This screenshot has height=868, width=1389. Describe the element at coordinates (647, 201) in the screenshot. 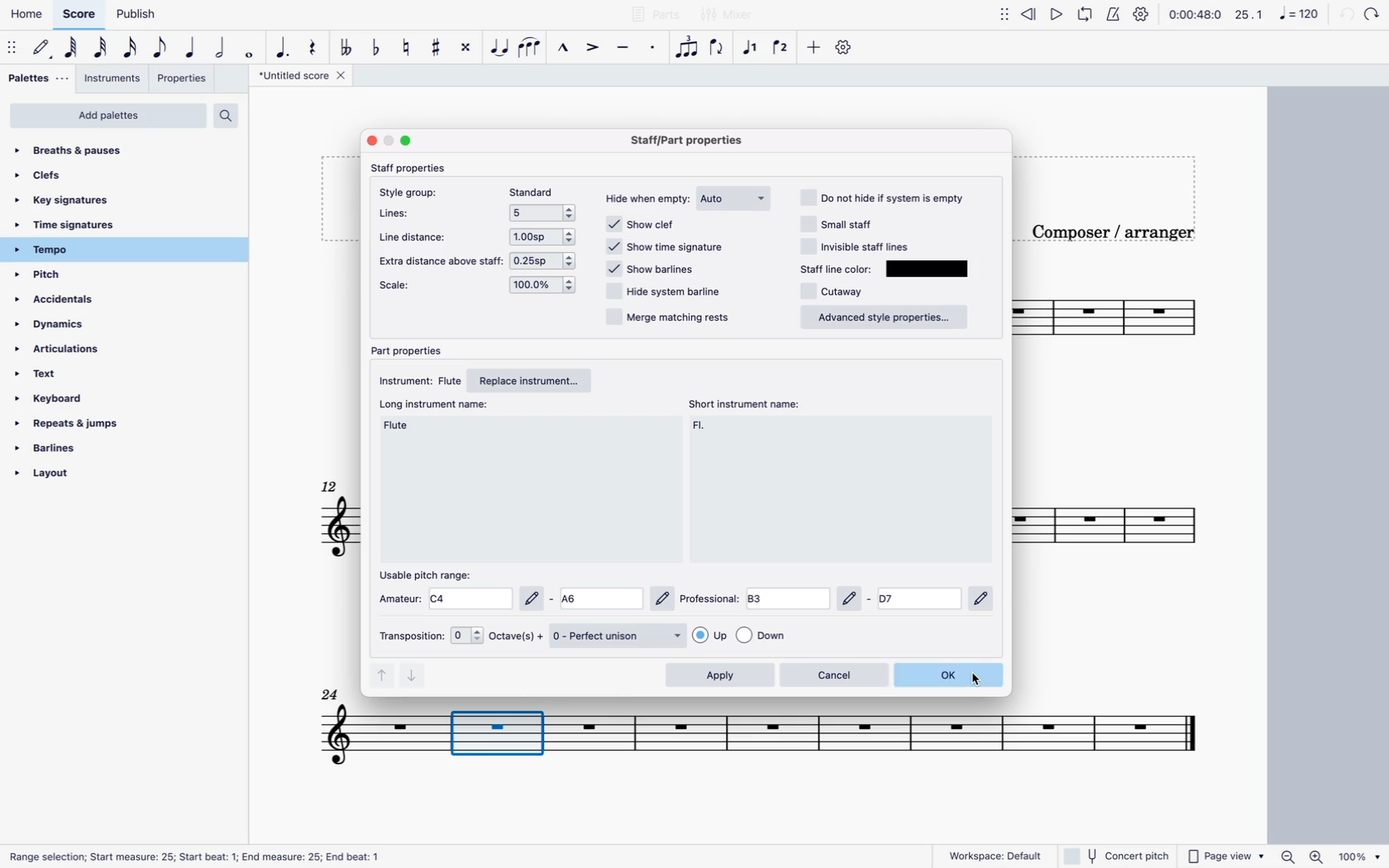

I see `hide when empty` at that location.